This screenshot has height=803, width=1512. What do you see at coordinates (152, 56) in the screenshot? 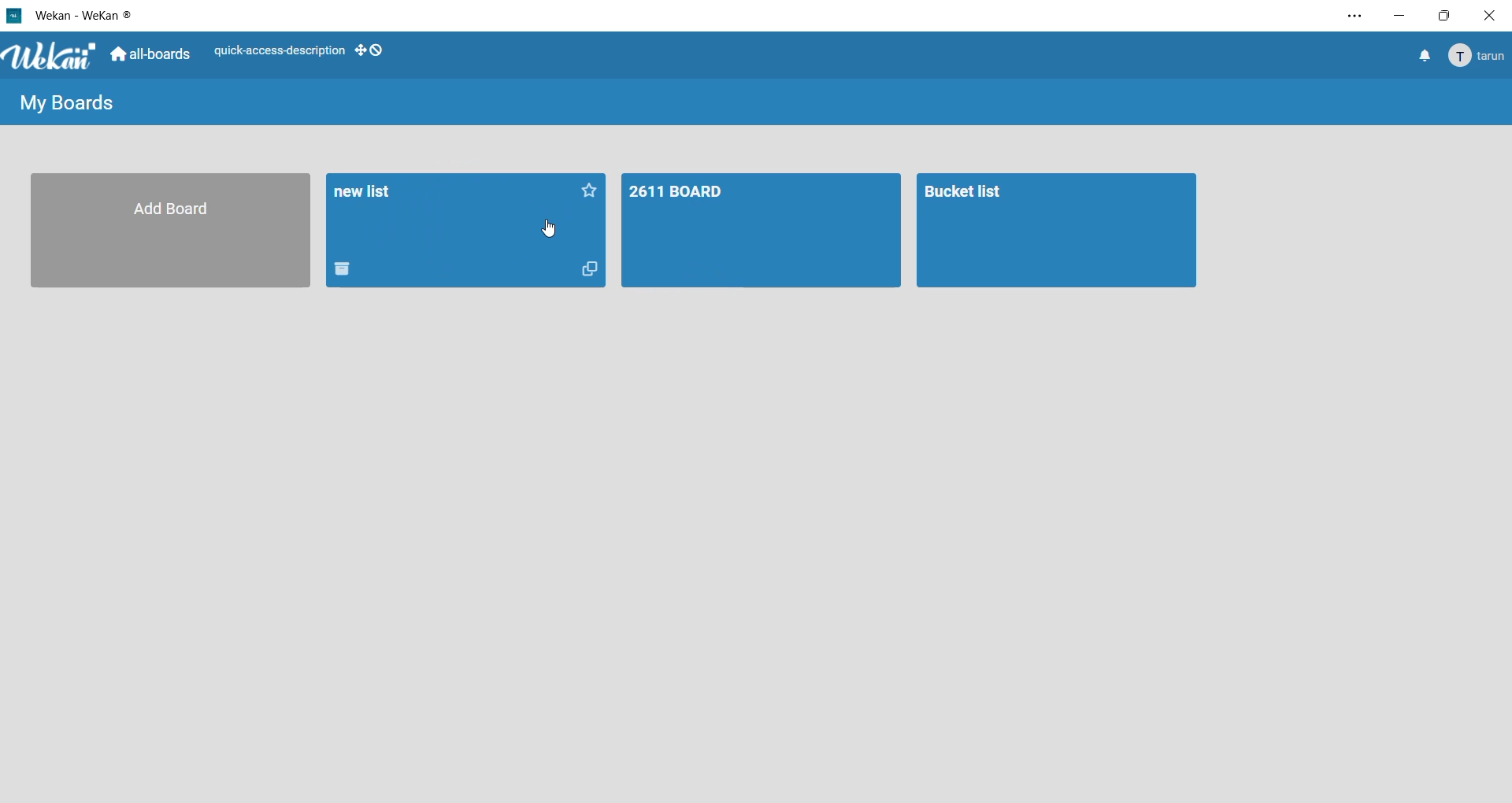
I see `all boards` at bounding box center [152, 56].